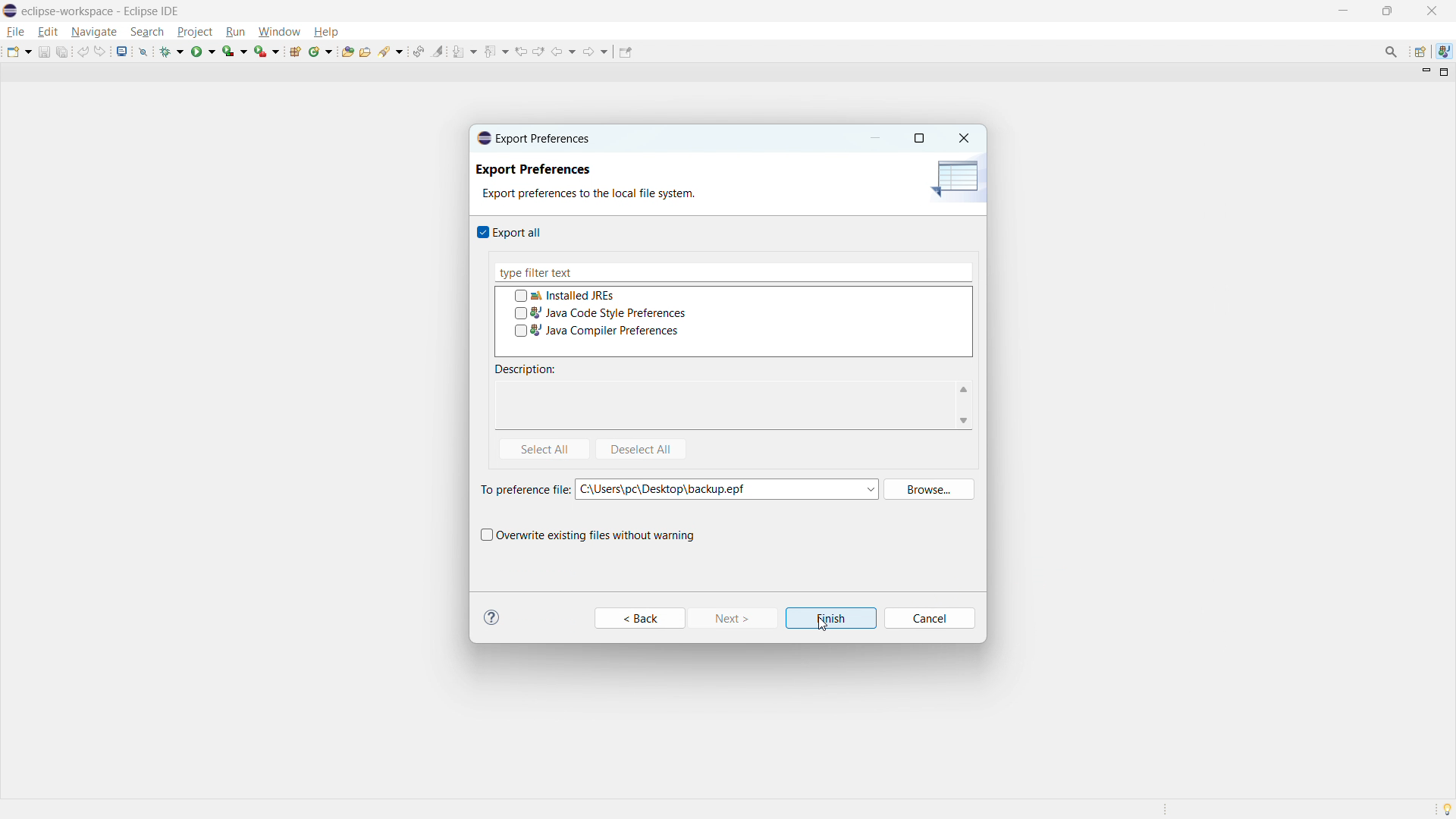 Image resolution: width=1456 pixels, height=819 pixels. What do you see at coordinates (10, 11) in the screenshot?
I see `logo` at bounding box center [10, 11].